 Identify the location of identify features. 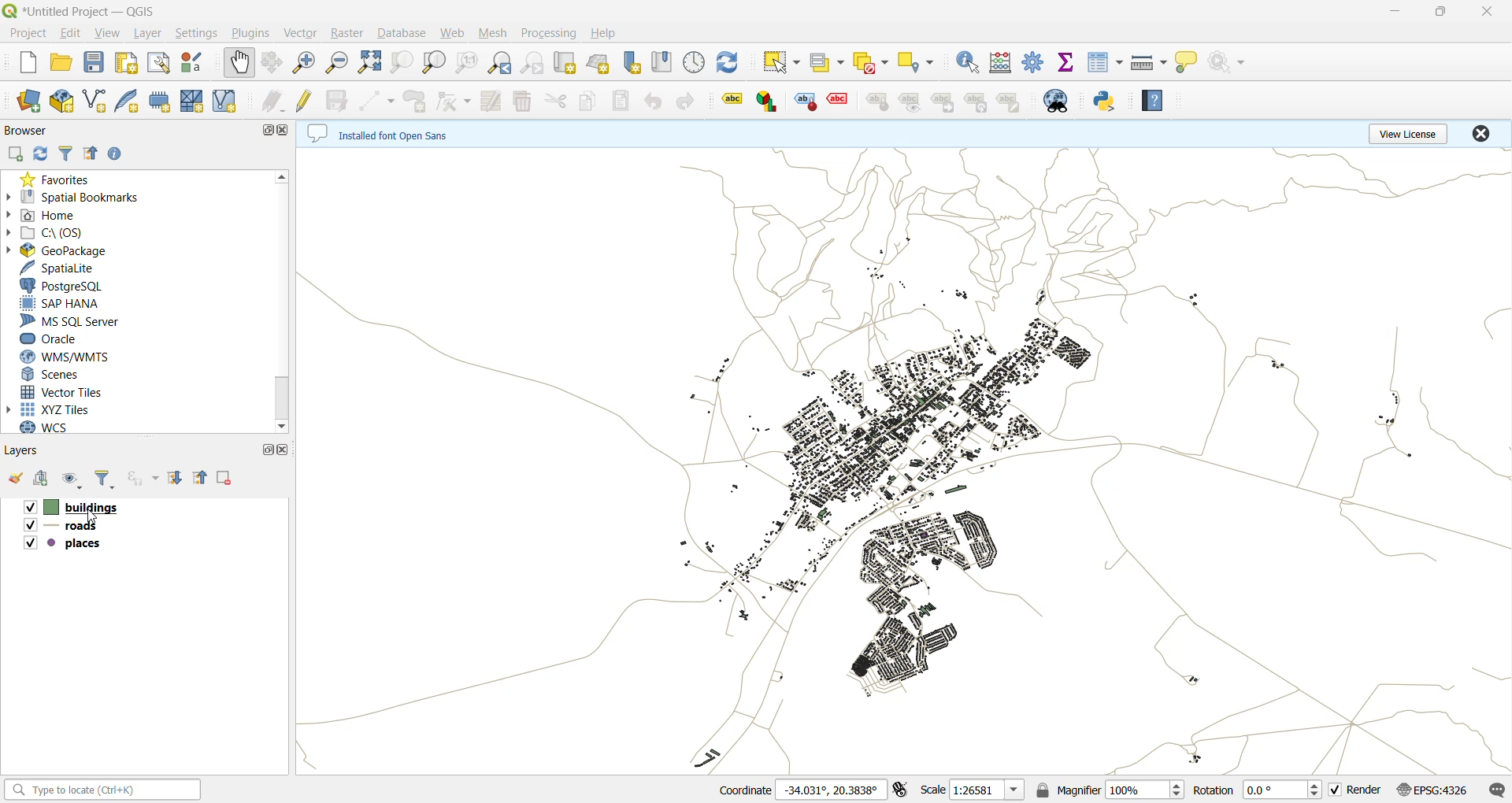
(969, 62).